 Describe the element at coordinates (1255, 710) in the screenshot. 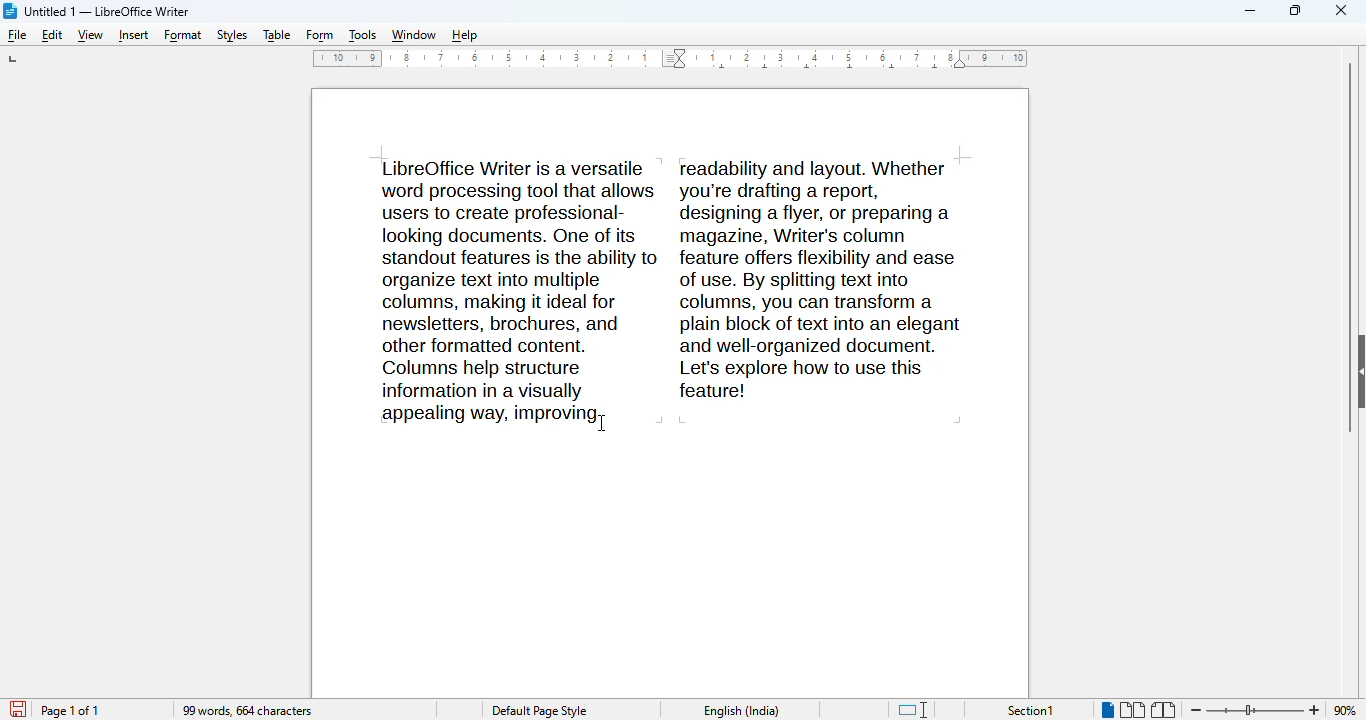

I see `zoom in or zoom out bar` at that location.